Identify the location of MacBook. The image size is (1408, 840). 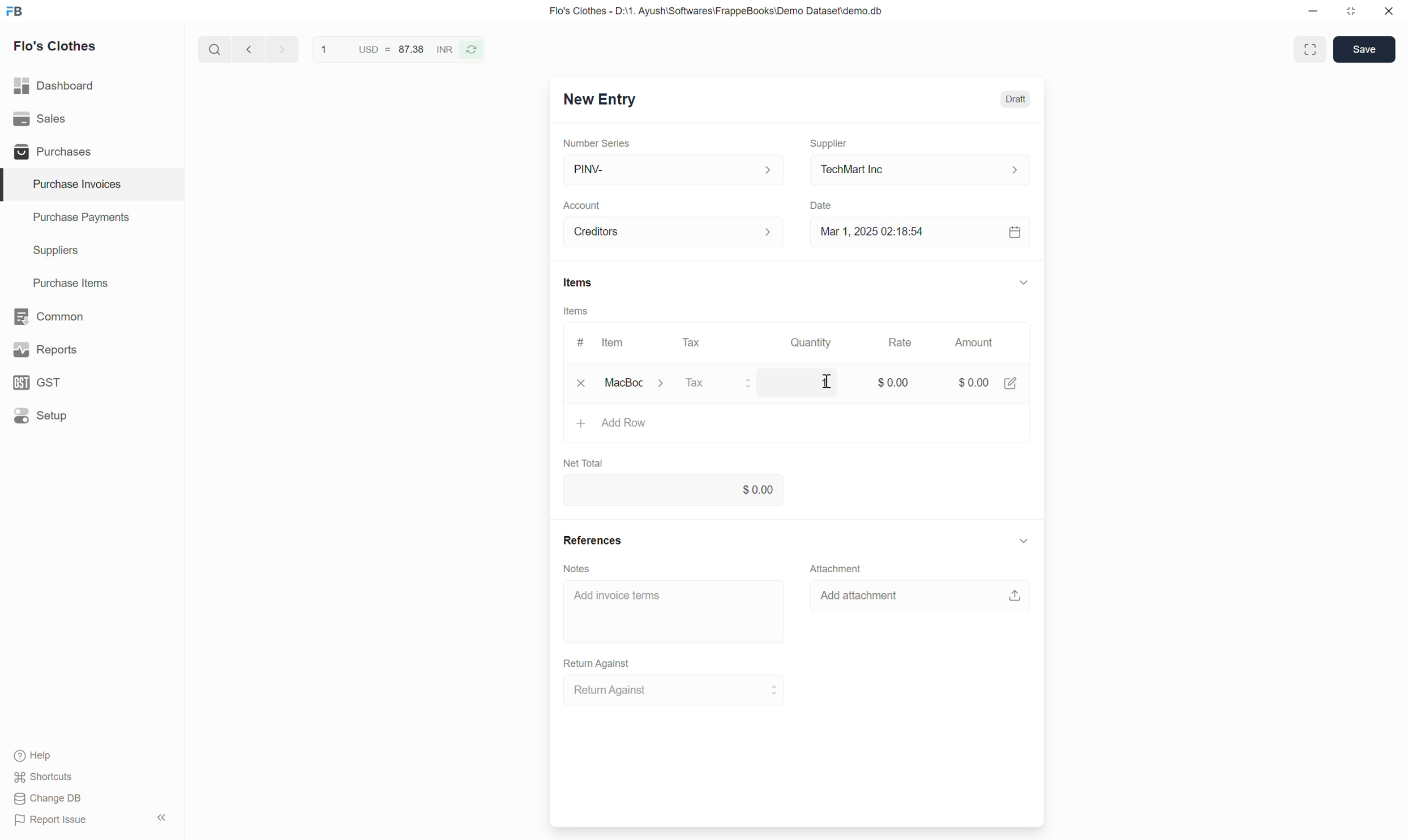
(640, 383).